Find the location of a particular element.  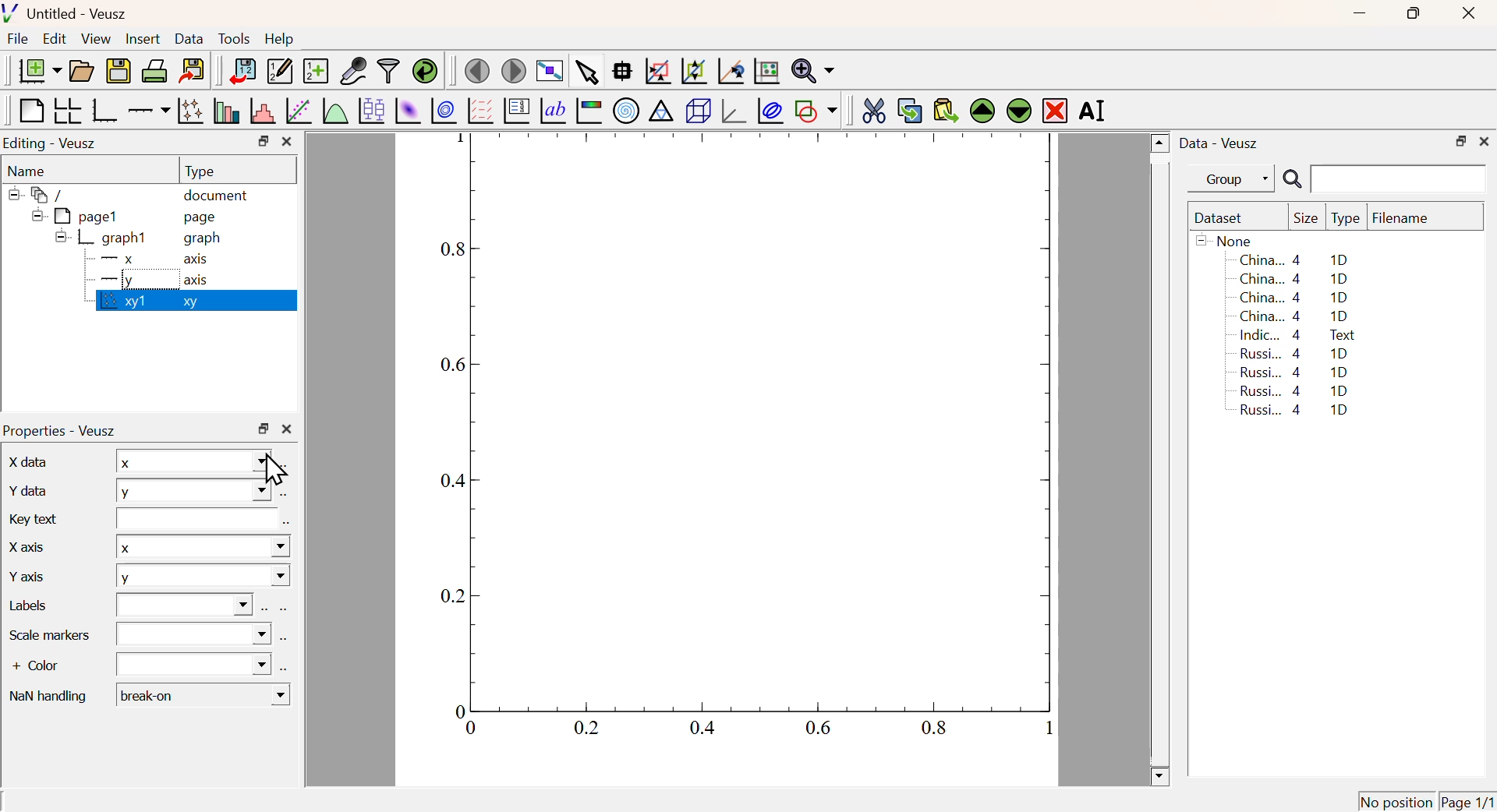

Create new dataset is located at coordinates (315, 72).